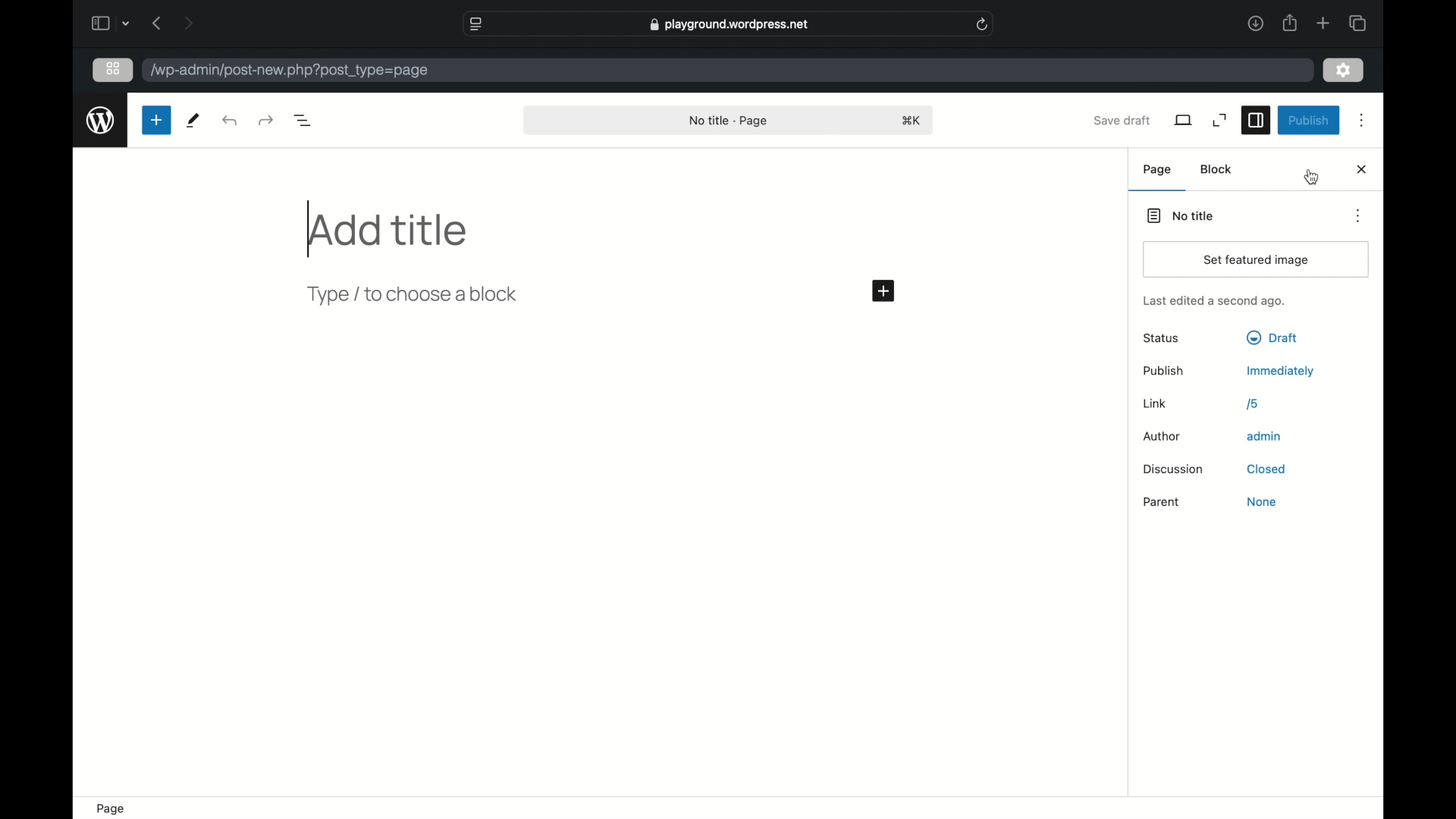  Describe the element at coordinates (157, 120) in the screenshot. I see `new` at that location.